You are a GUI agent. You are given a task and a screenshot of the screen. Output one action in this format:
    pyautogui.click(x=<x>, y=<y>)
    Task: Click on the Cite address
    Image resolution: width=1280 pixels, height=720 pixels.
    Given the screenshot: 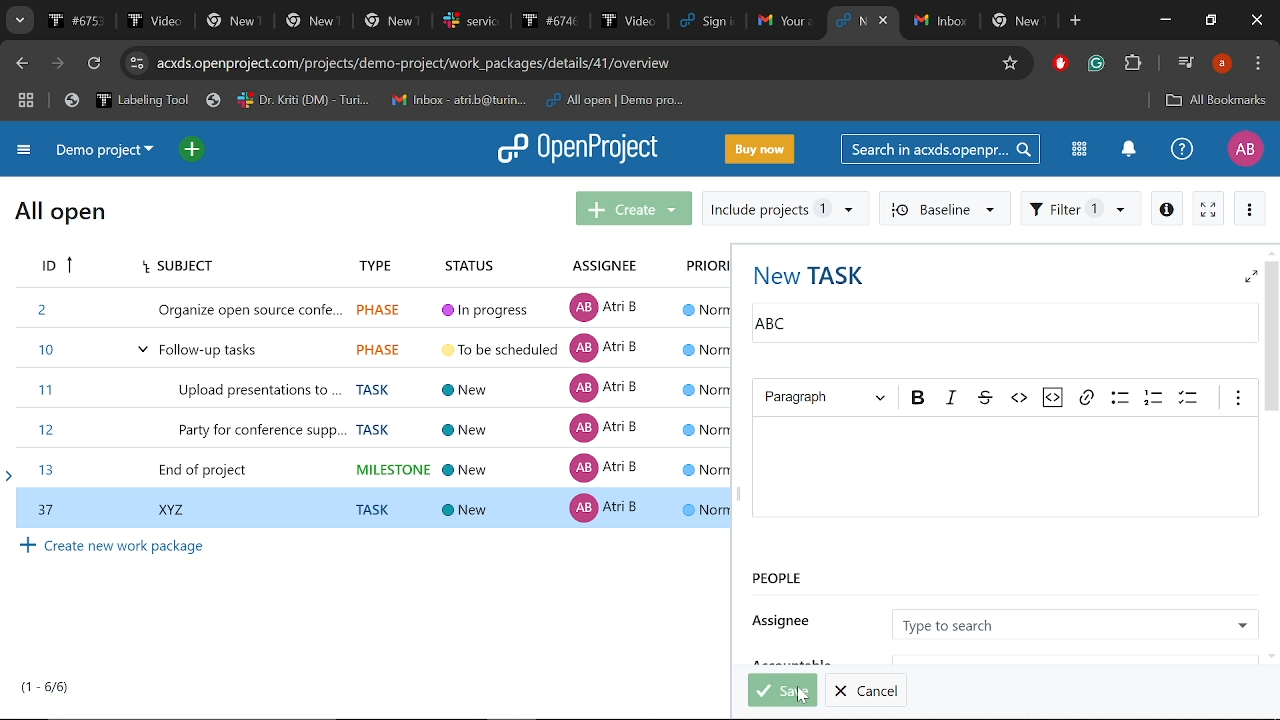 What is the action you would take?
    pyautogui.click(x=464, y=65)
    